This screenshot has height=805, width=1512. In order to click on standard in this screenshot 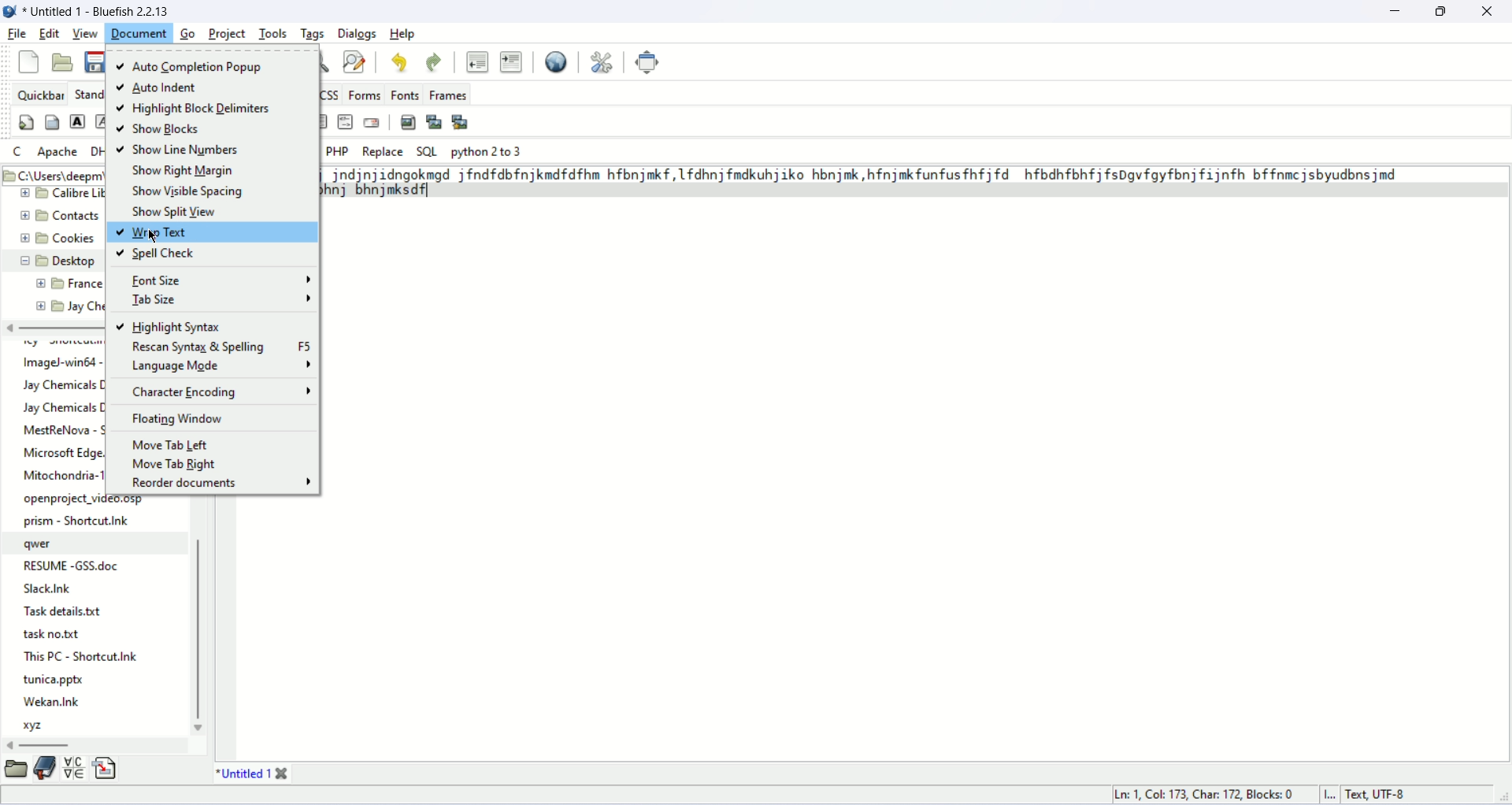, I will do `click(87, 94)`.